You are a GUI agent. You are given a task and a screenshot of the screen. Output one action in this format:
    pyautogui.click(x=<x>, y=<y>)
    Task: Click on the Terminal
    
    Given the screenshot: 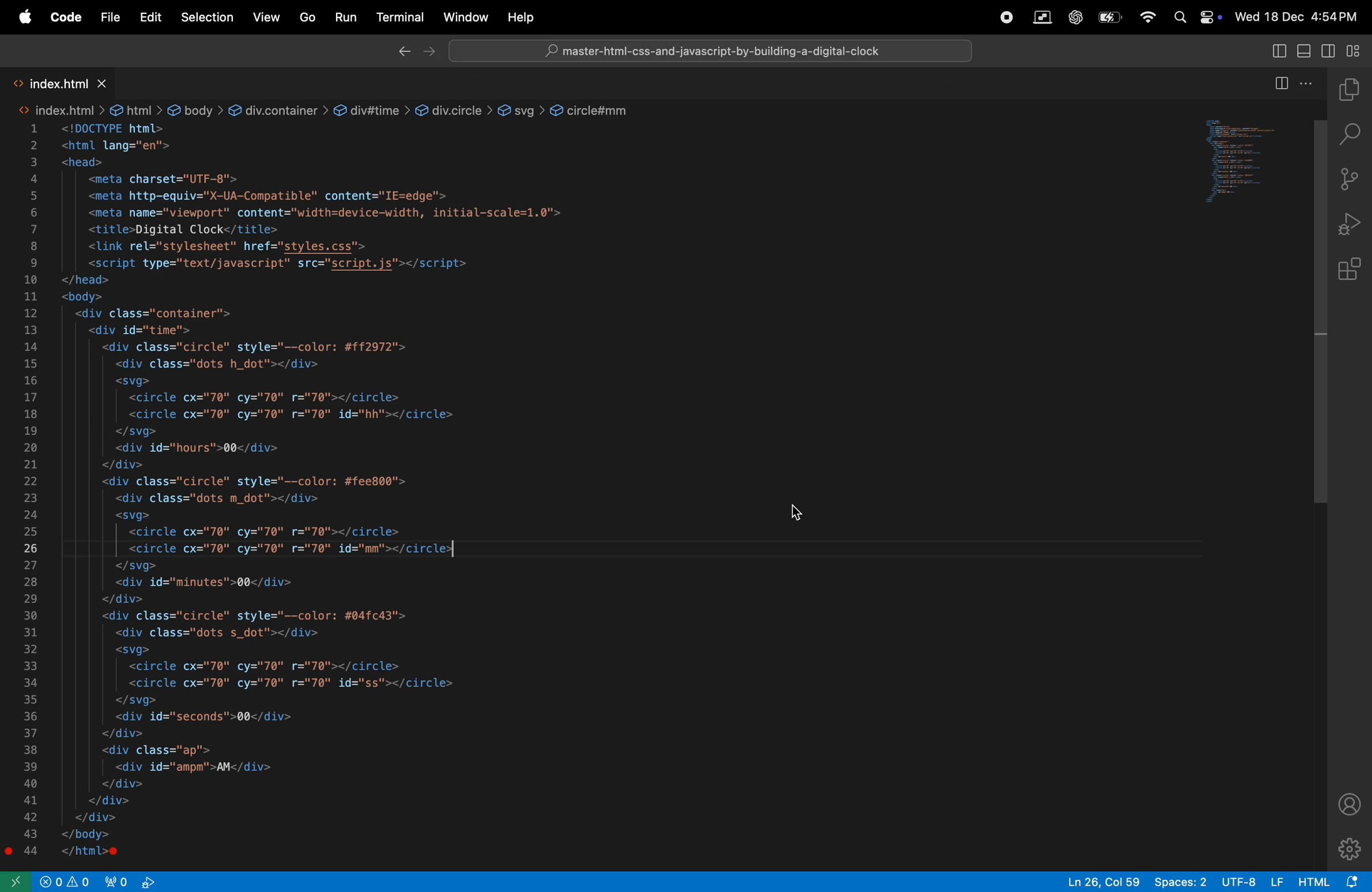 What is the action you would take?
    pyautogui.click(x=401, y=20)
    